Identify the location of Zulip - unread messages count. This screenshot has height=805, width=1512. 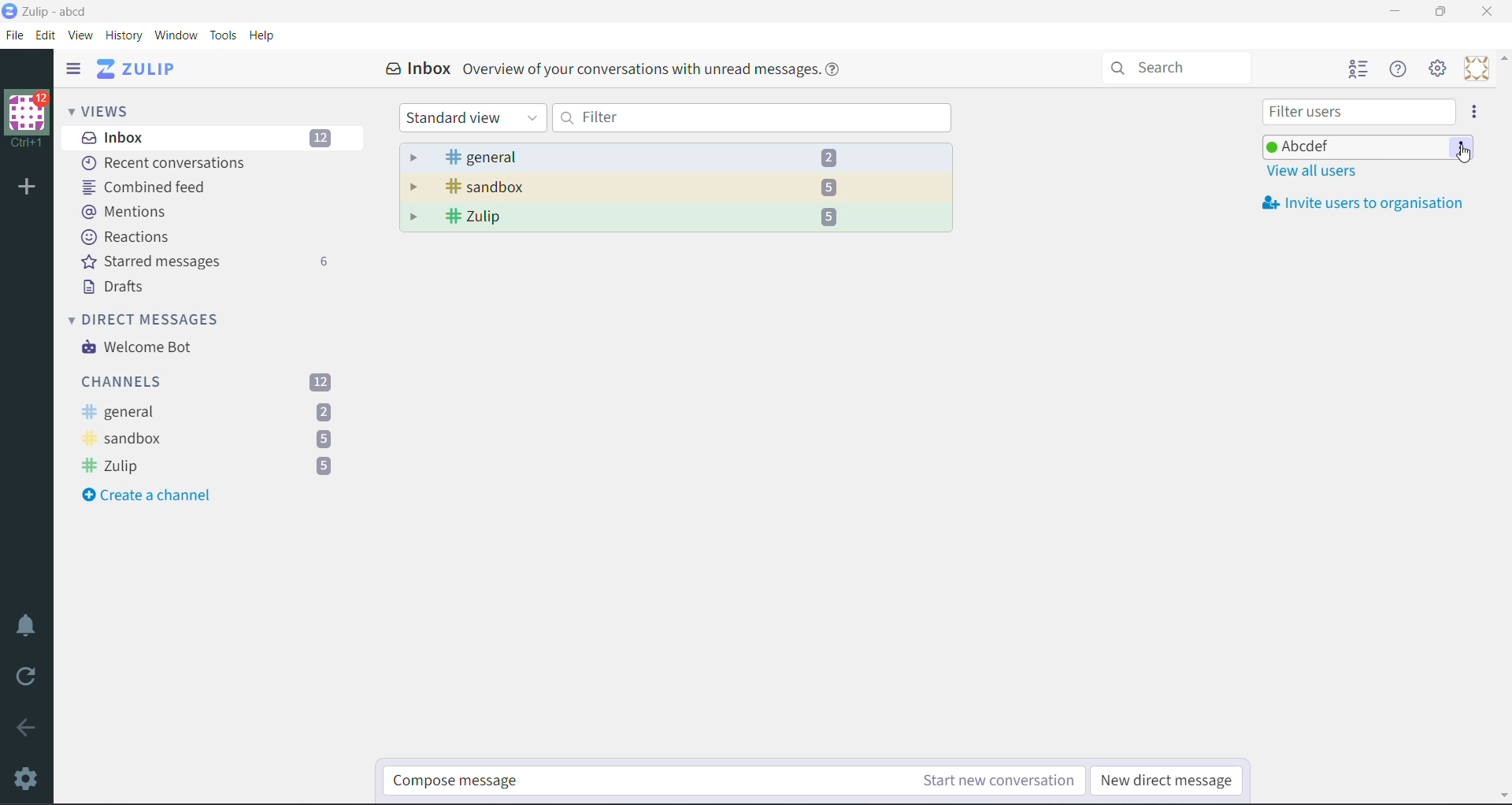
(209, 466).